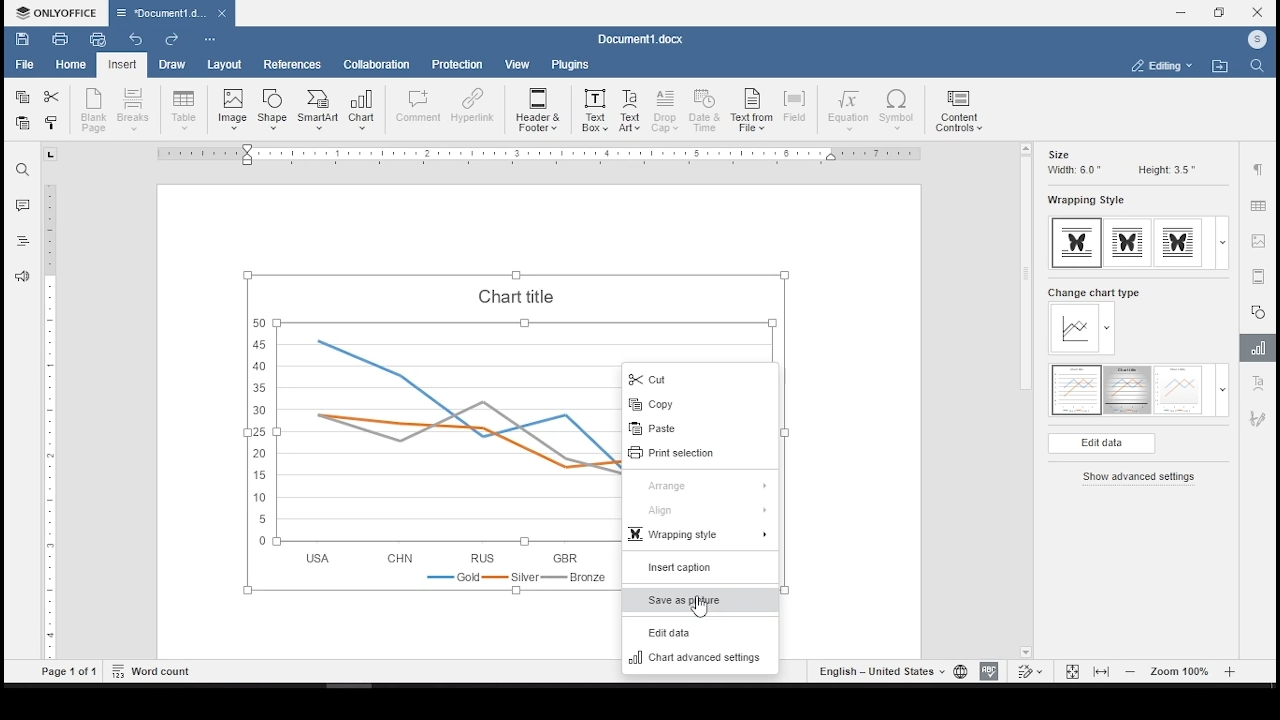 The image size is (1280, 720). Describe the element at coordinates (22, 168) in the screenshot. I see `find` at that location.